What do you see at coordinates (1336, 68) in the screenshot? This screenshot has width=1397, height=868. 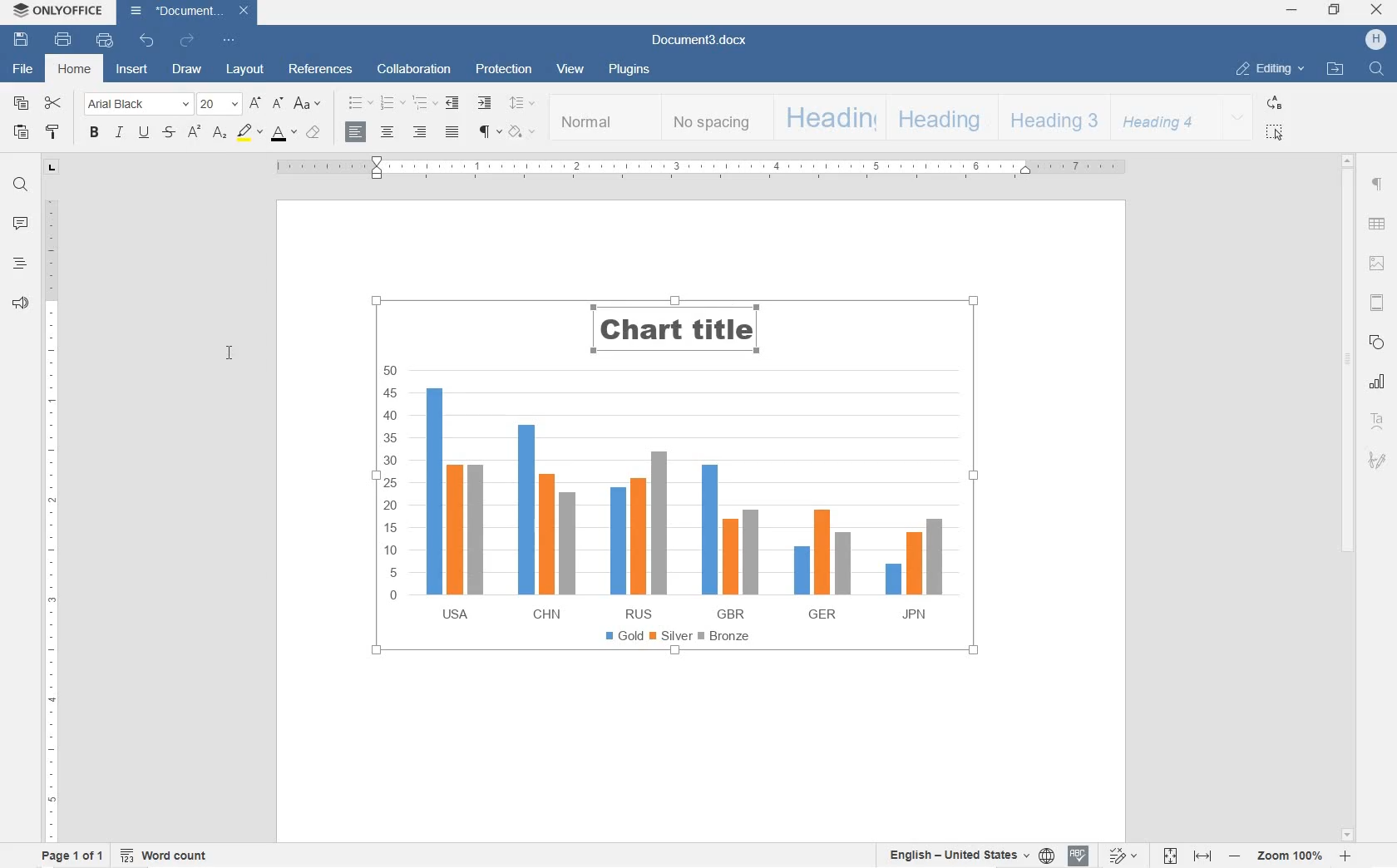 I see `OPEN FILE LOCATION` at bounding box center [1336, 68].